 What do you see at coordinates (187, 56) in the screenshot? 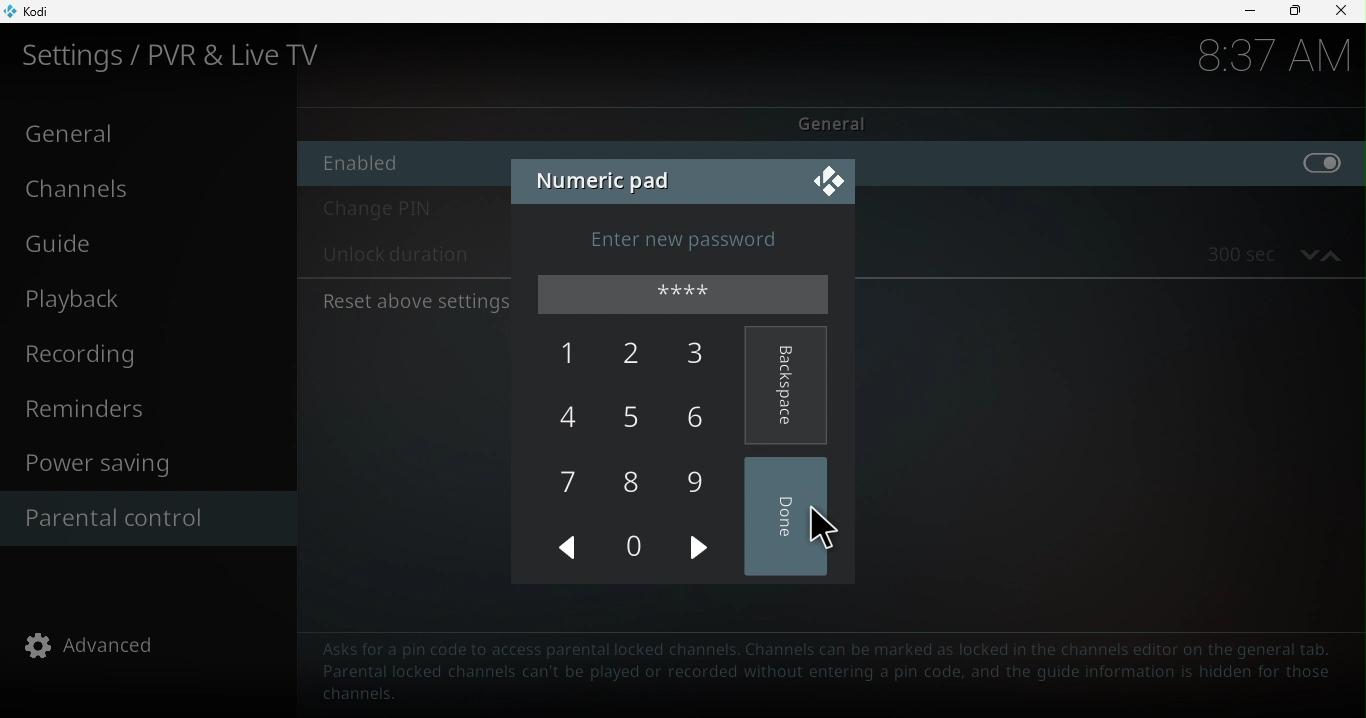
I see `Settings/PVR and Live TV` at bounding box center [187, 56].